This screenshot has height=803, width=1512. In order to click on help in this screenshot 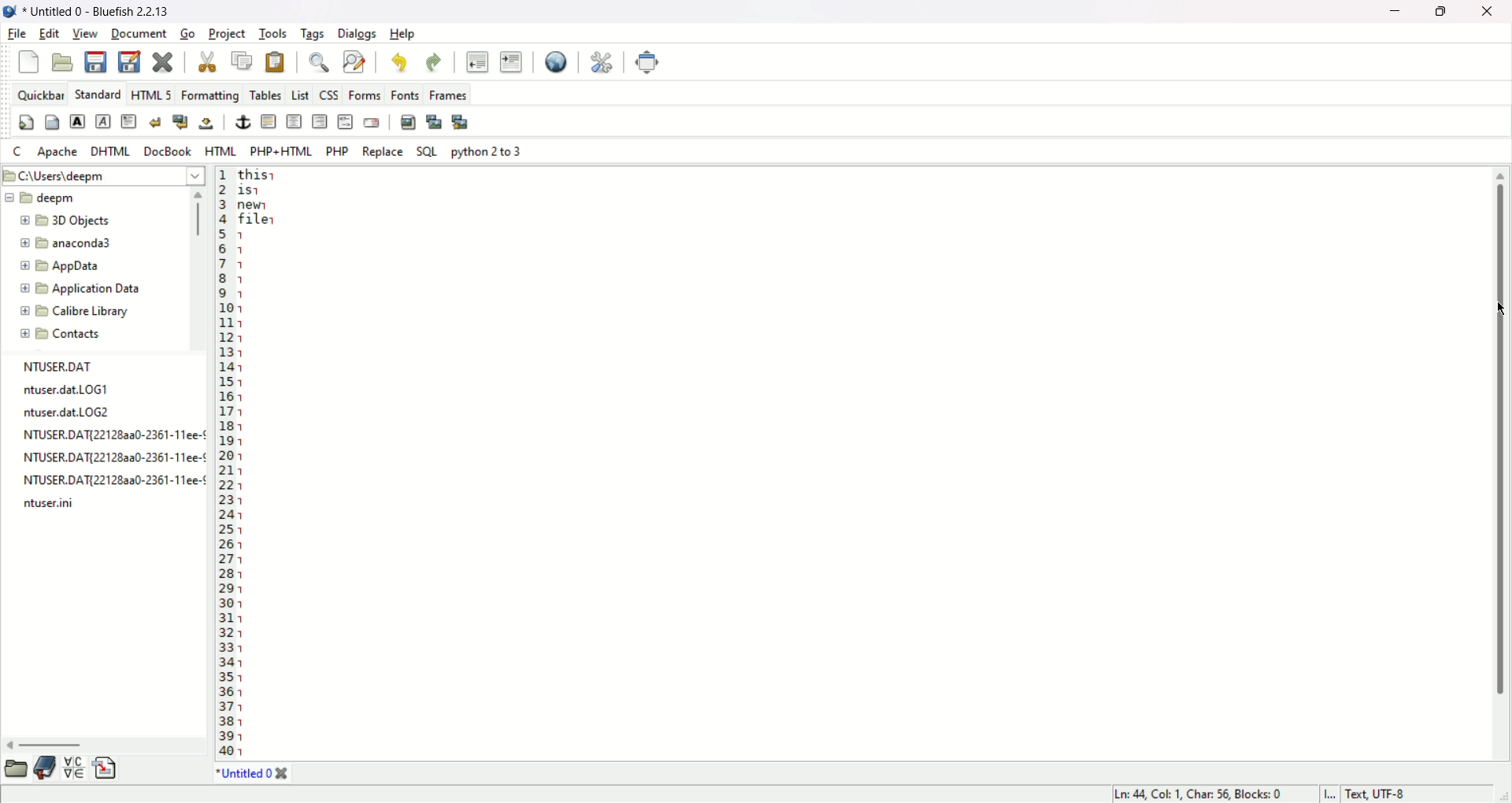, I will do `click(406, 34)`.